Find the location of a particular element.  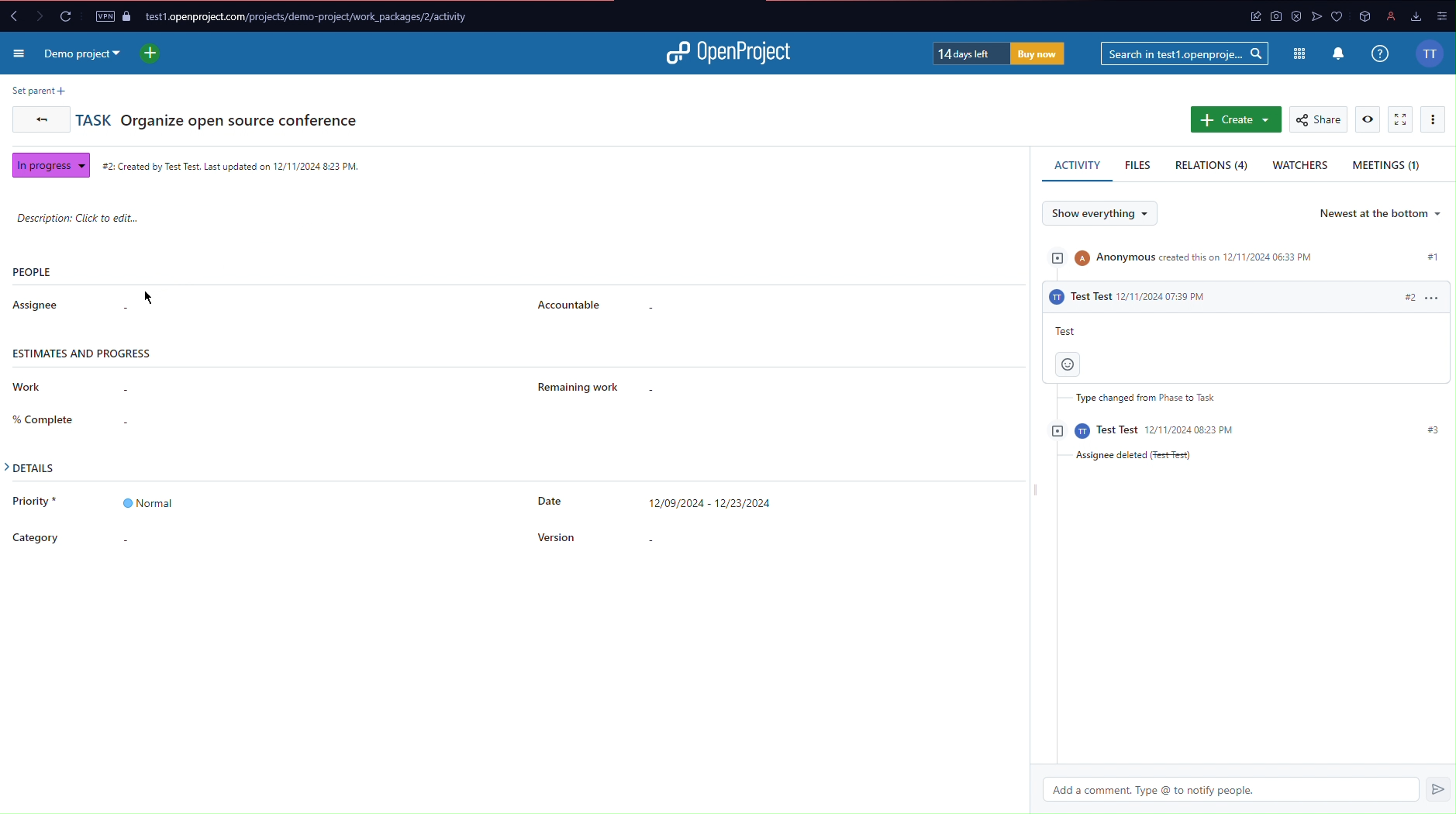

Open Project is located at coordinates (730, 57).